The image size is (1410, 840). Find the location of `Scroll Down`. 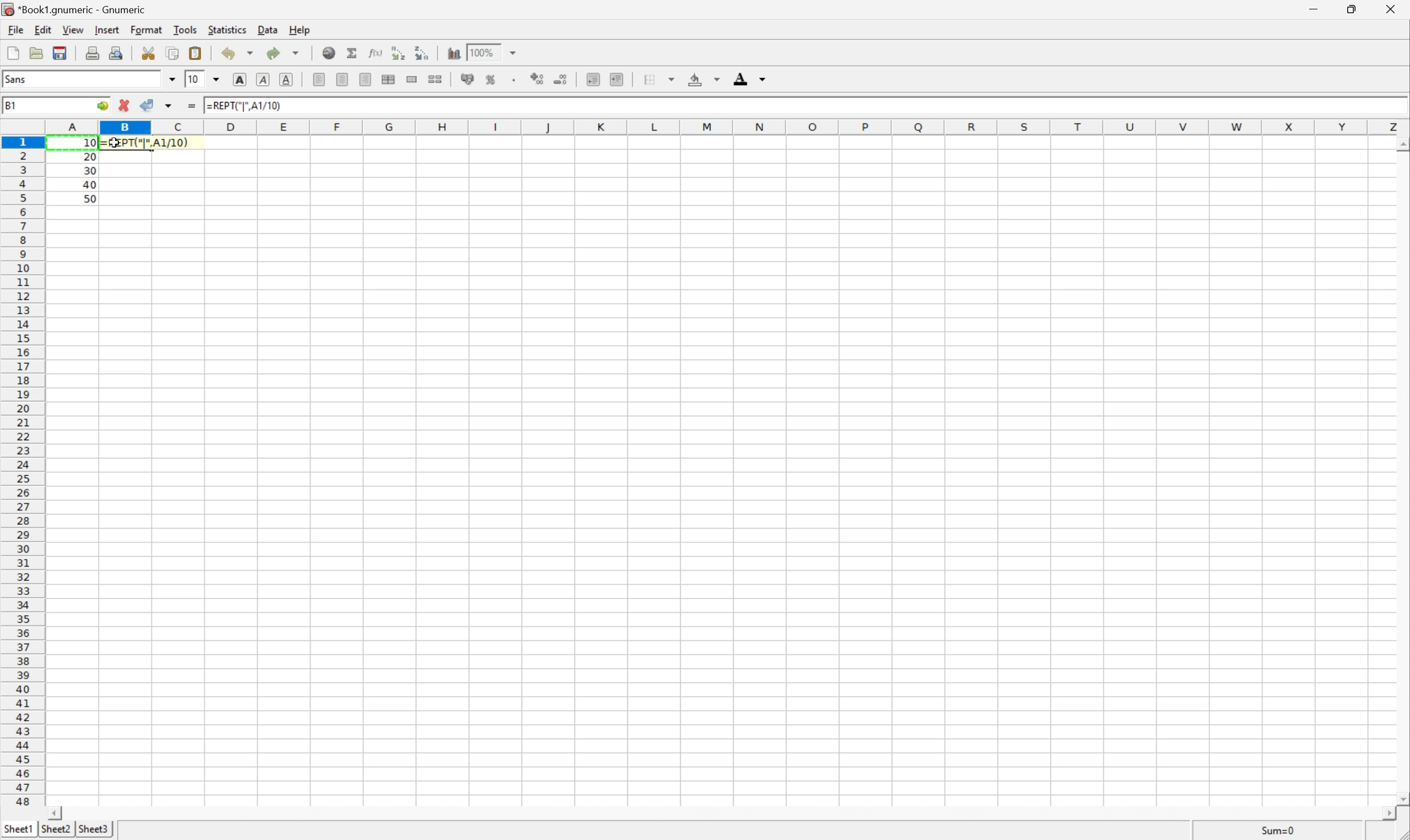

Scroll Down is located at coordinates (1401, 799).